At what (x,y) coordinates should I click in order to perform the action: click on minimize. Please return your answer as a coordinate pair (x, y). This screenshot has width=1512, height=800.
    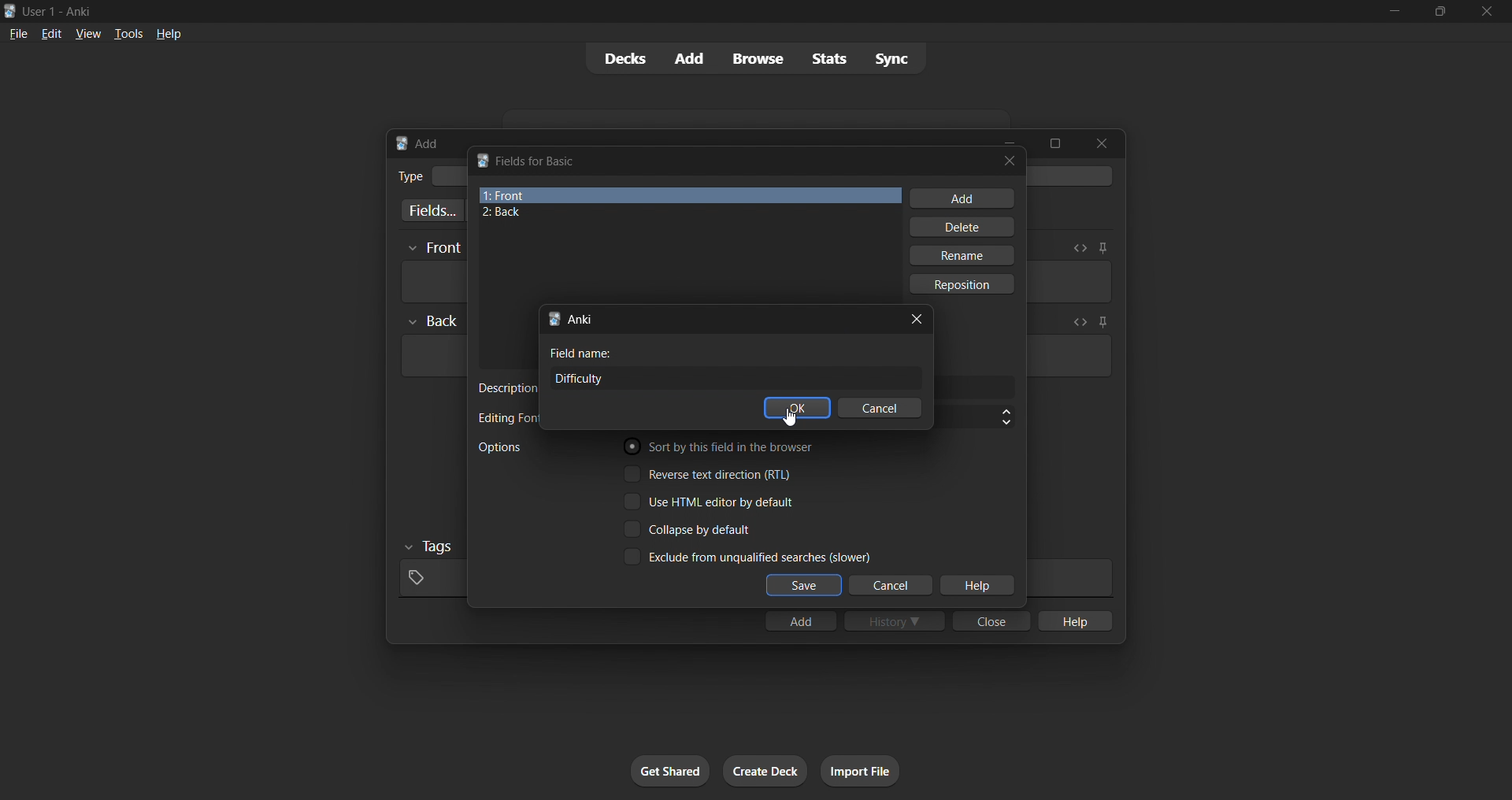
    Looking at the image, I should click on (1394, 12).